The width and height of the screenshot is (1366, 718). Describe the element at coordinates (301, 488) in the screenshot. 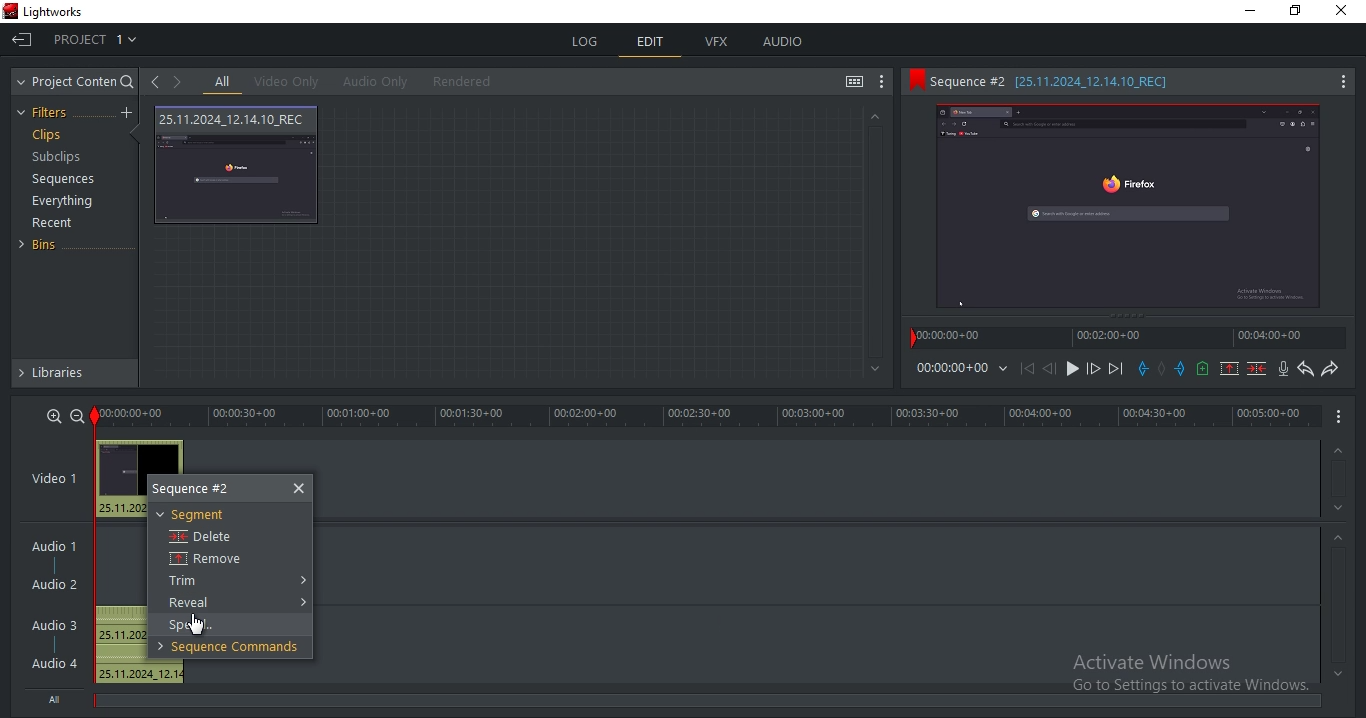

I see `close` at that location.